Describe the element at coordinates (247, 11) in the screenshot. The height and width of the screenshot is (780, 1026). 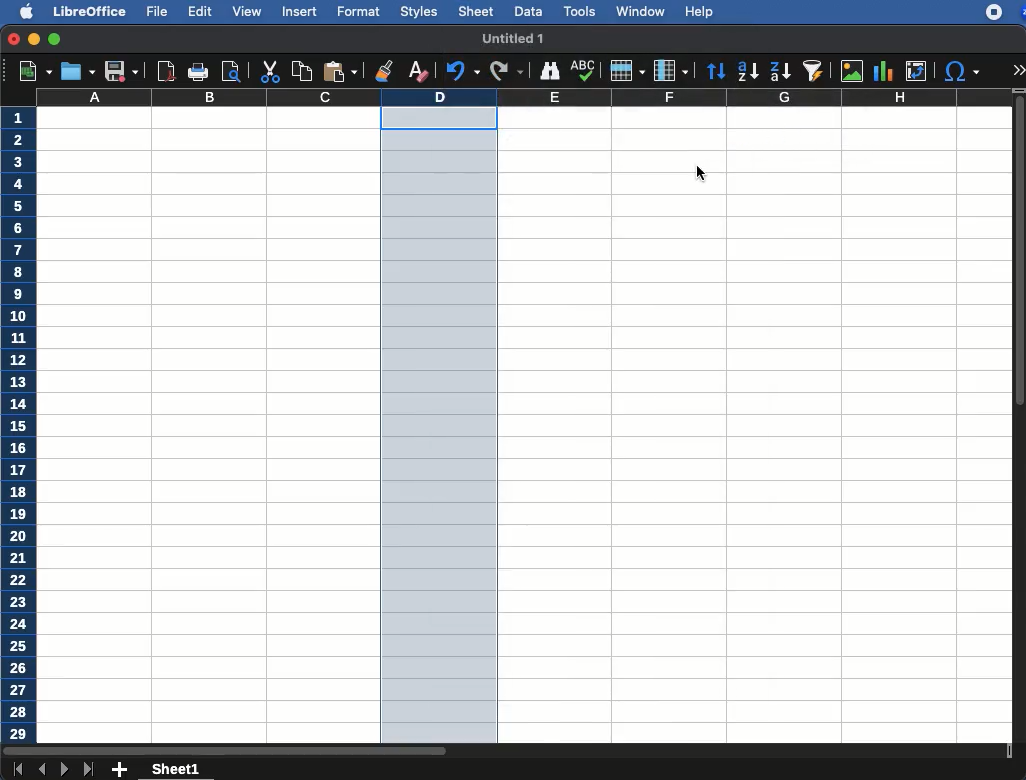
I see `view` at that location.